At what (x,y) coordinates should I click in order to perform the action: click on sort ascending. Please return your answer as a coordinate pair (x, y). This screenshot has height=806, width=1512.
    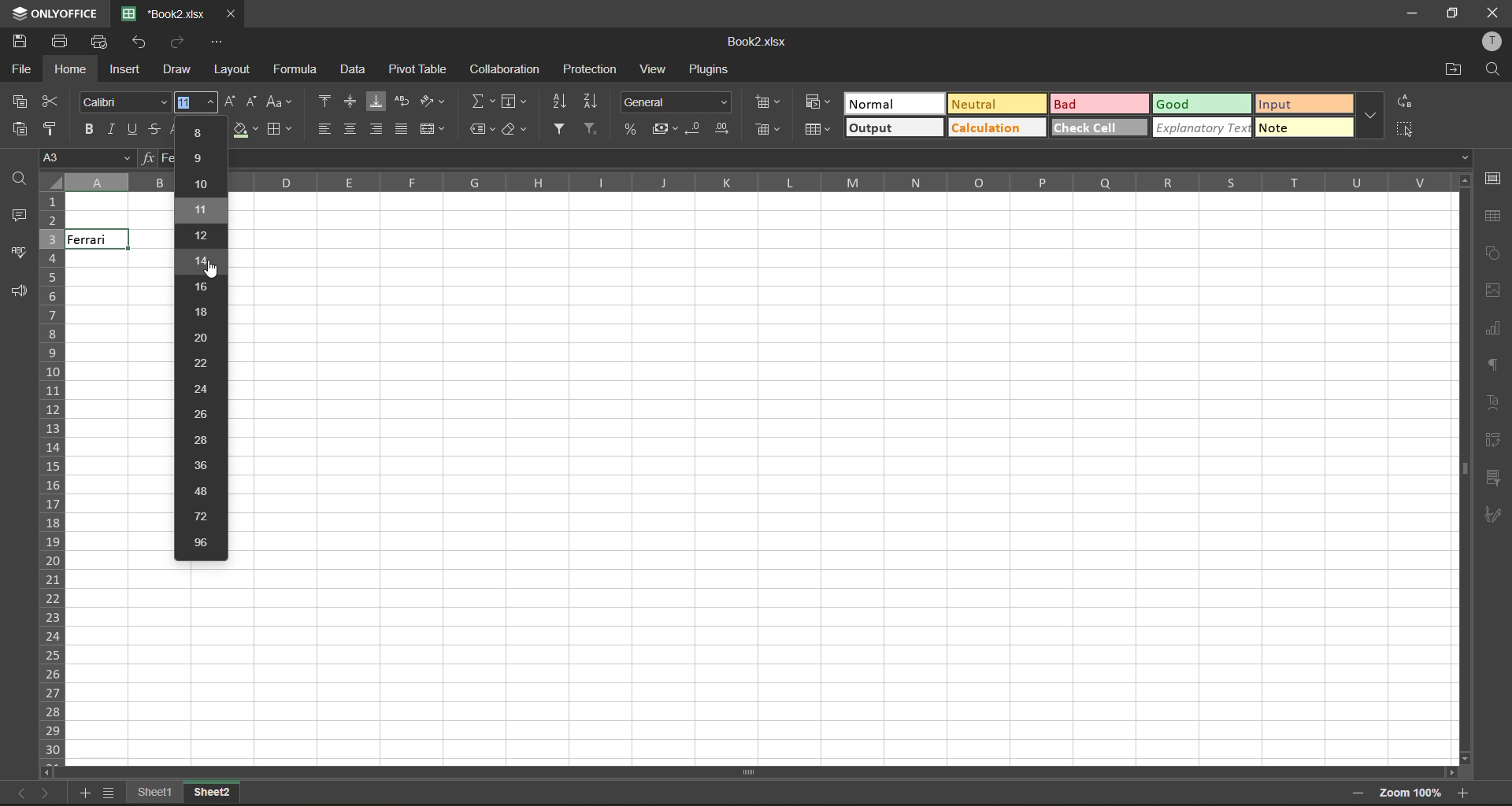
    Looking at the image, I should click on (558, 100).